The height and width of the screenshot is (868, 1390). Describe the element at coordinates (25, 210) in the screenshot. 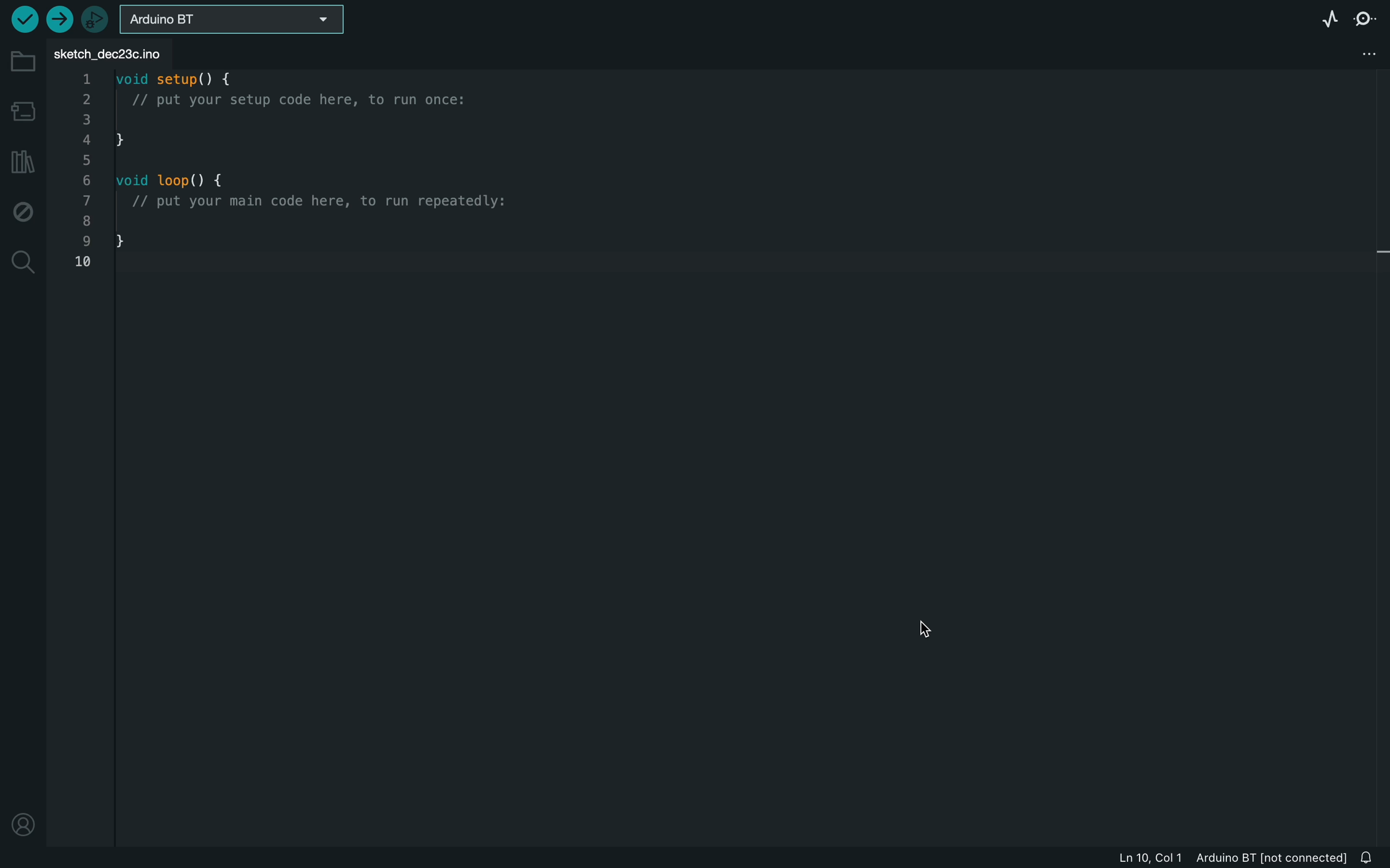

I see `debug` at that location.